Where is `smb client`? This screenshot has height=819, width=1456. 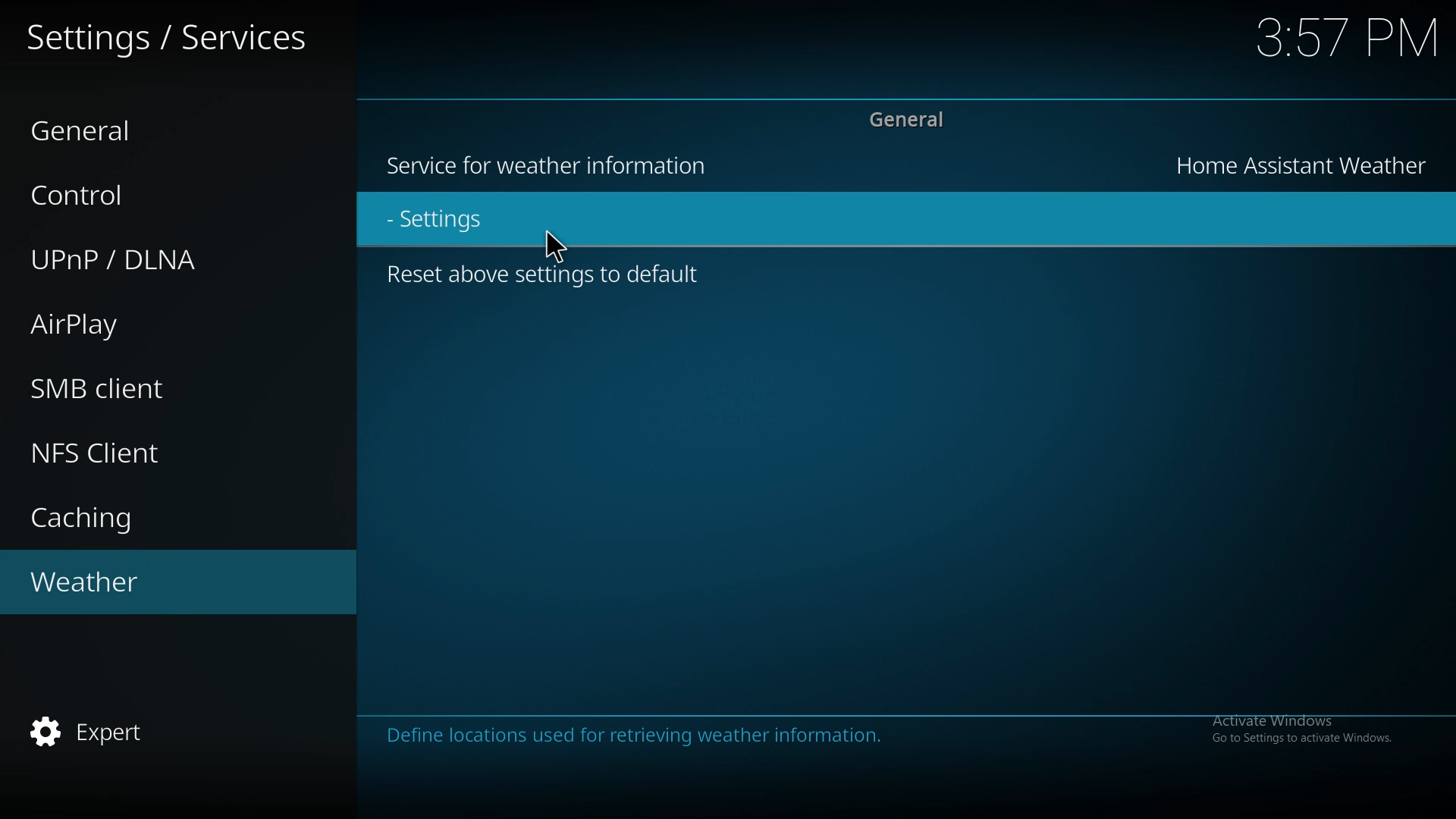
smb client is located at coordinates (150, 388).